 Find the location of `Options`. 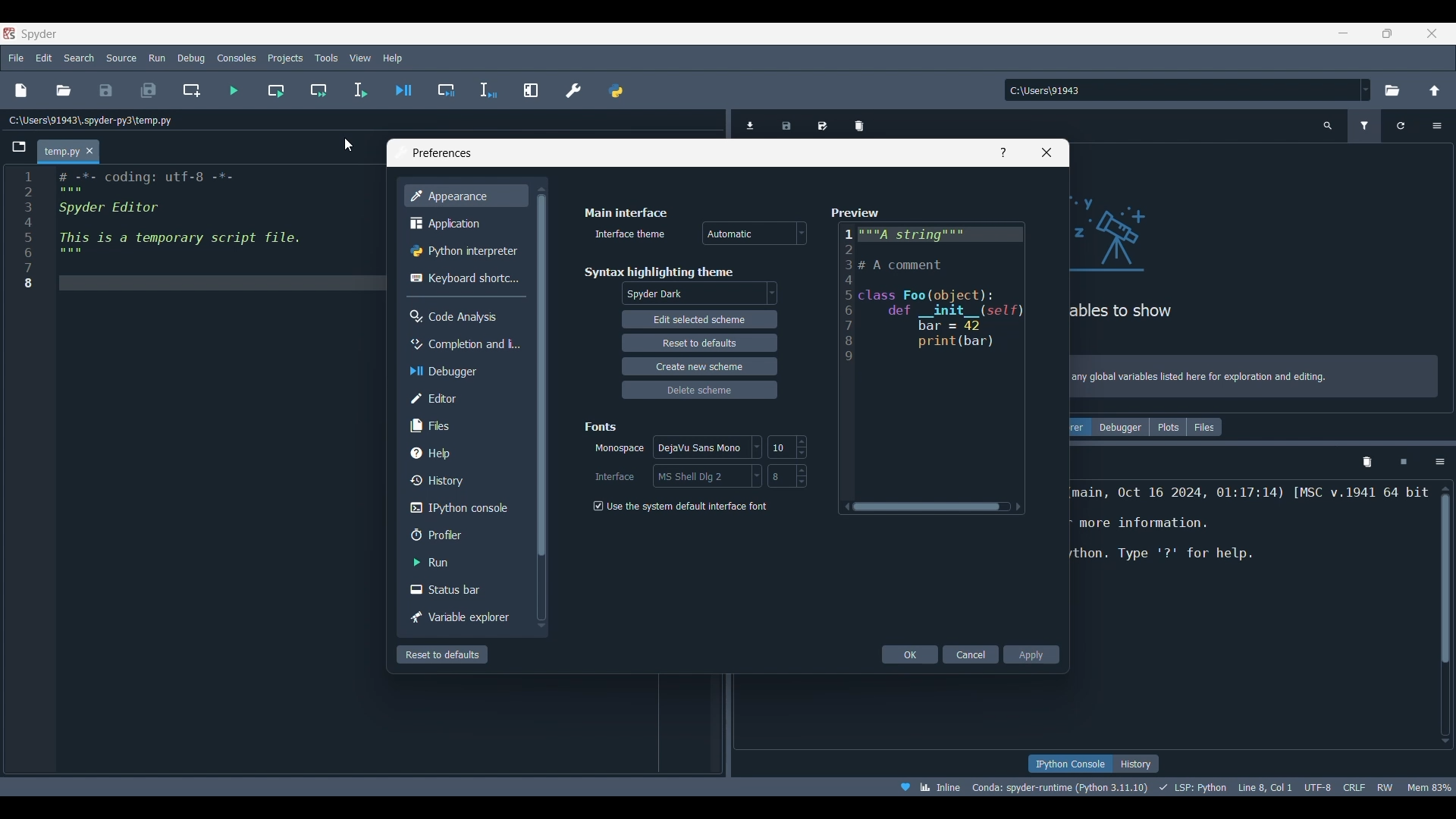

Options is located at coordinates (1439, 462).